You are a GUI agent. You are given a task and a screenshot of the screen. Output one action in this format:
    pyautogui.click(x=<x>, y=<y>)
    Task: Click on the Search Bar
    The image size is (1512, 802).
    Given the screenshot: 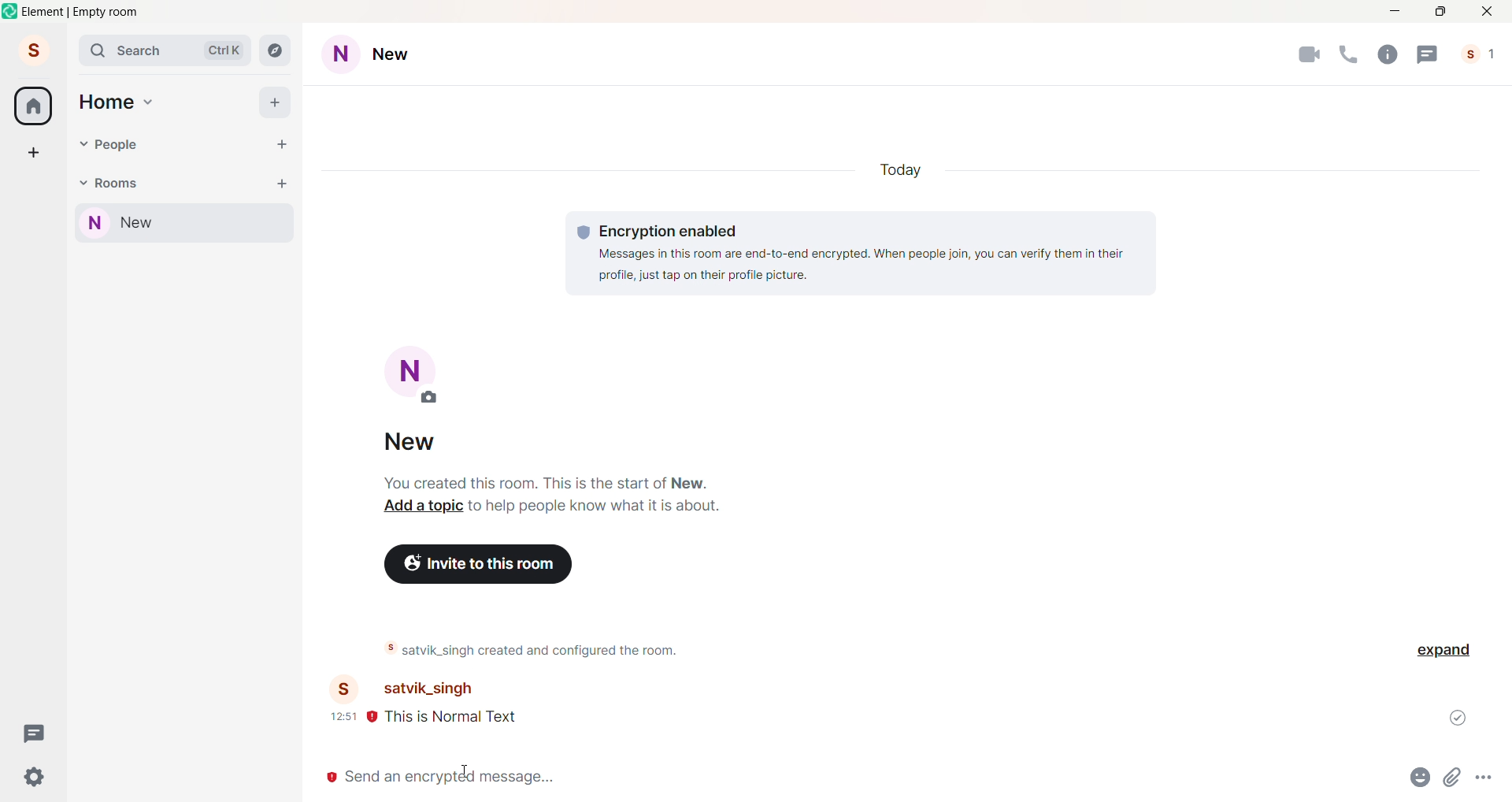 What is the action you would take?
    pyautogui.click(x=167, y=51)
    